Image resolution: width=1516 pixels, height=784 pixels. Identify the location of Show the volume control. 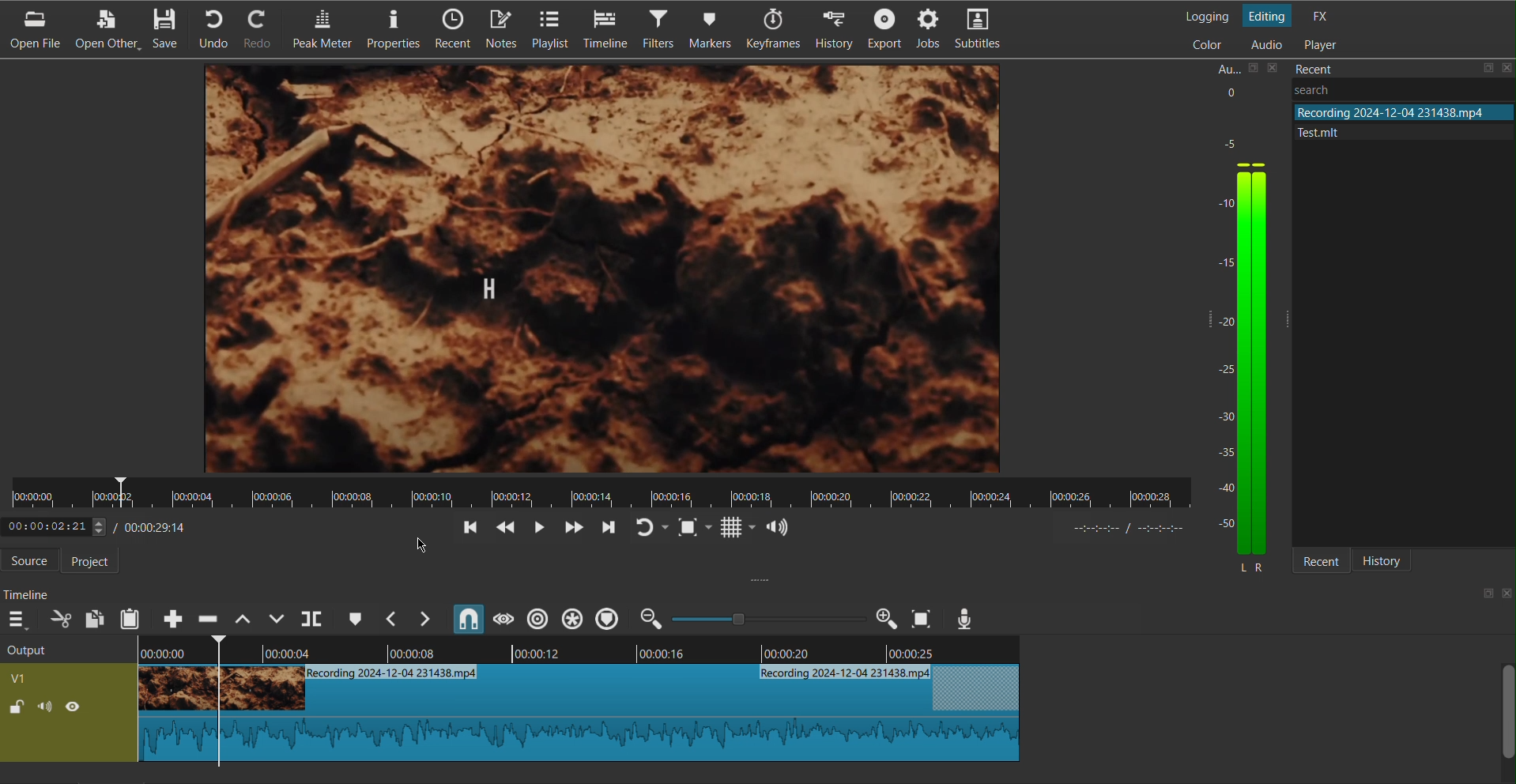
(778, 529).